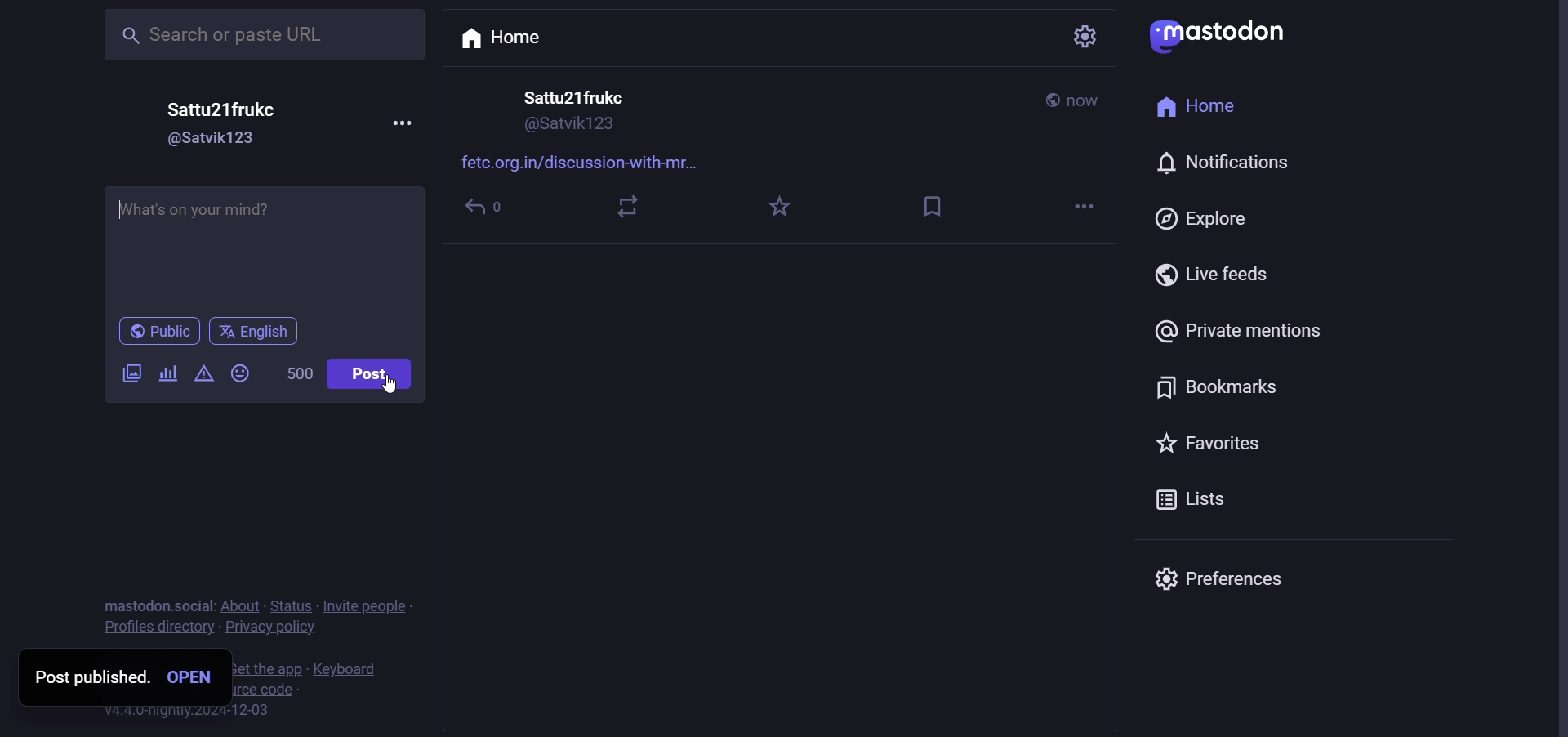 The height and width of the screenshot is (737, 1568). What do you see at coordinates (1219, 390) in the screenshot?
I see `bookmark` at bounding box center [1219, 390].